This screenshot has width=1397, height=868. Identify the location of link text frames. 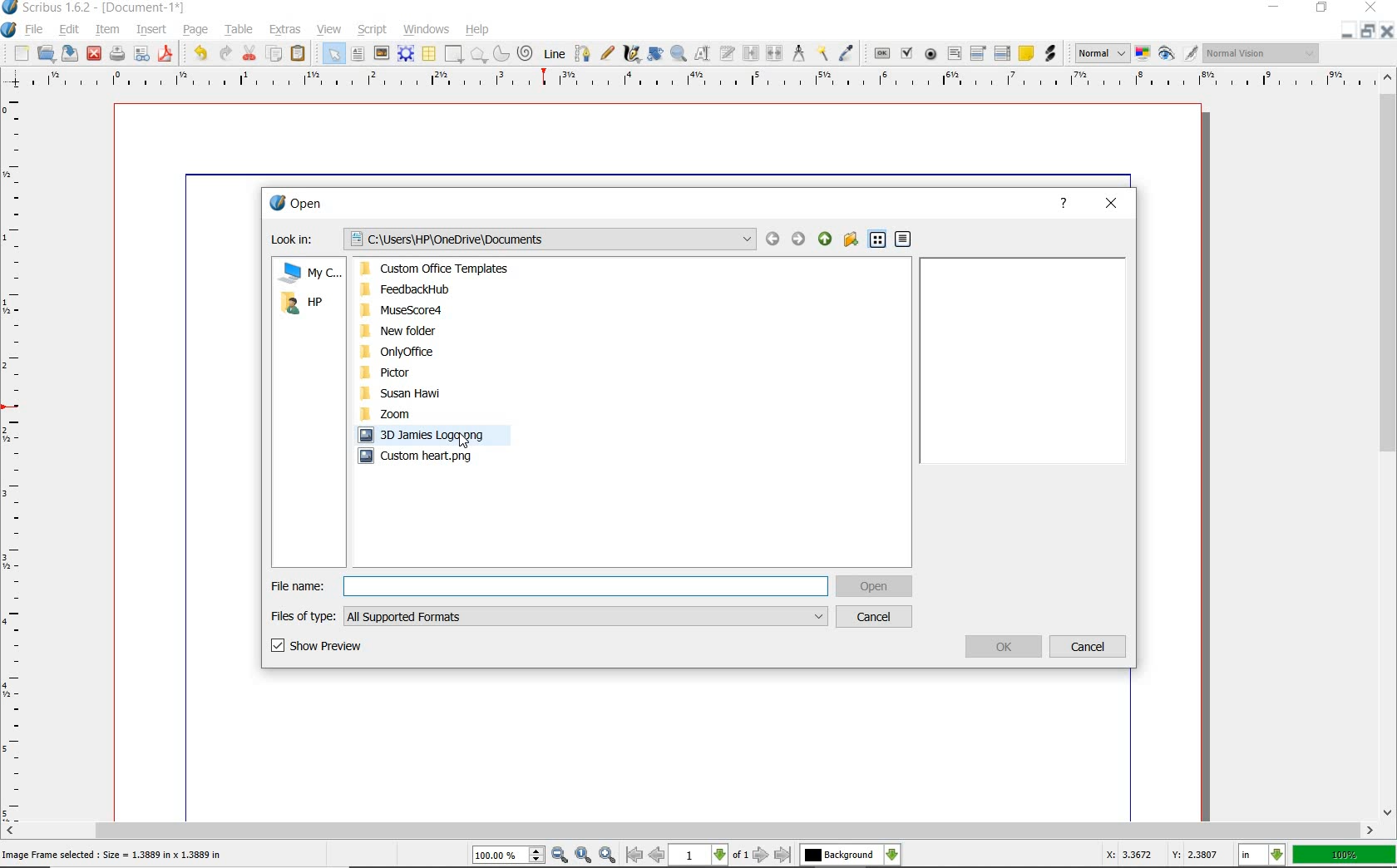
(753, 52).